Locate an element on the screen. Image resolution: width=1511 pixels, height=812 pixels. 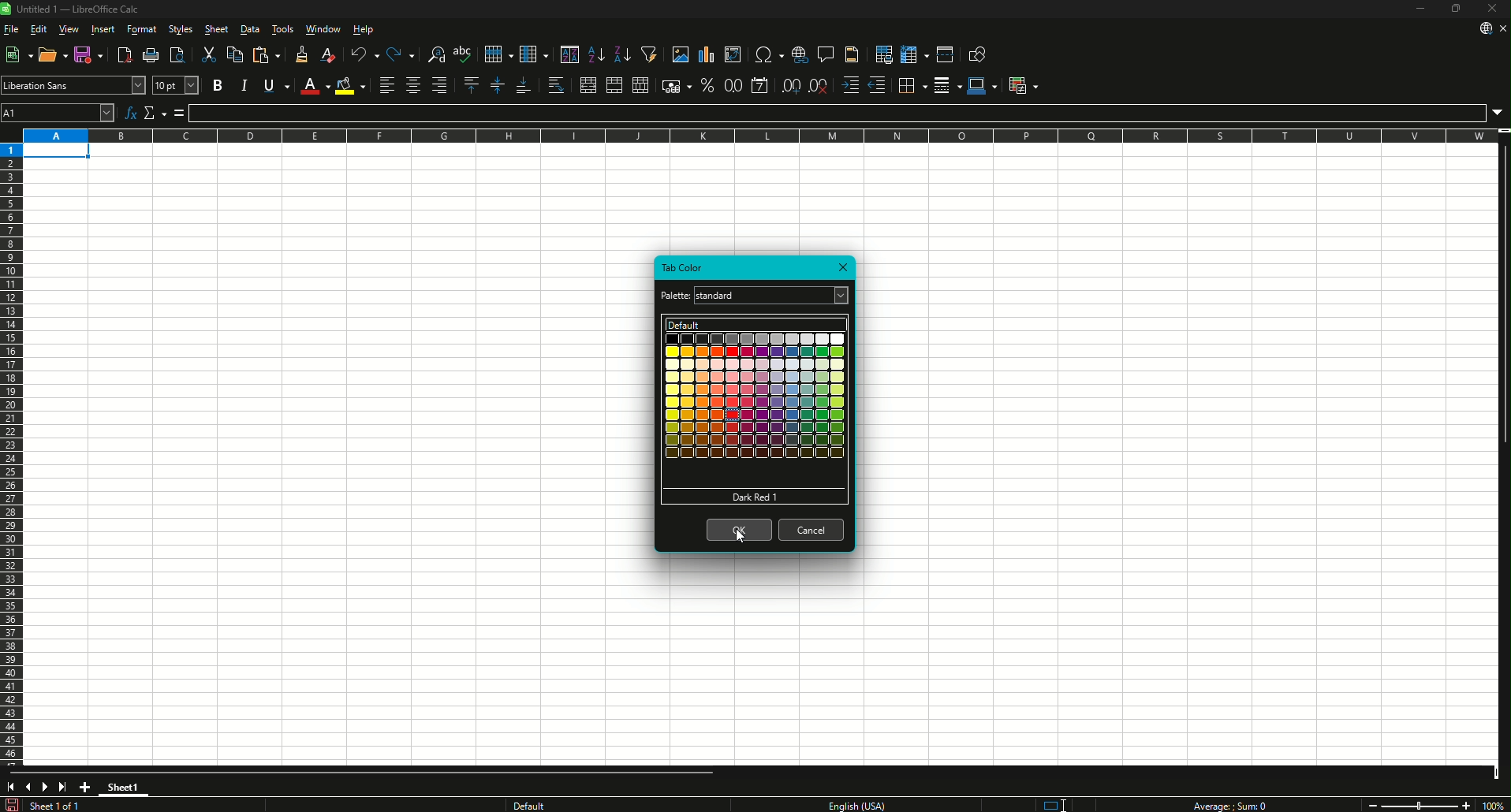
Wrap Text is located at coordinates (556, 85).